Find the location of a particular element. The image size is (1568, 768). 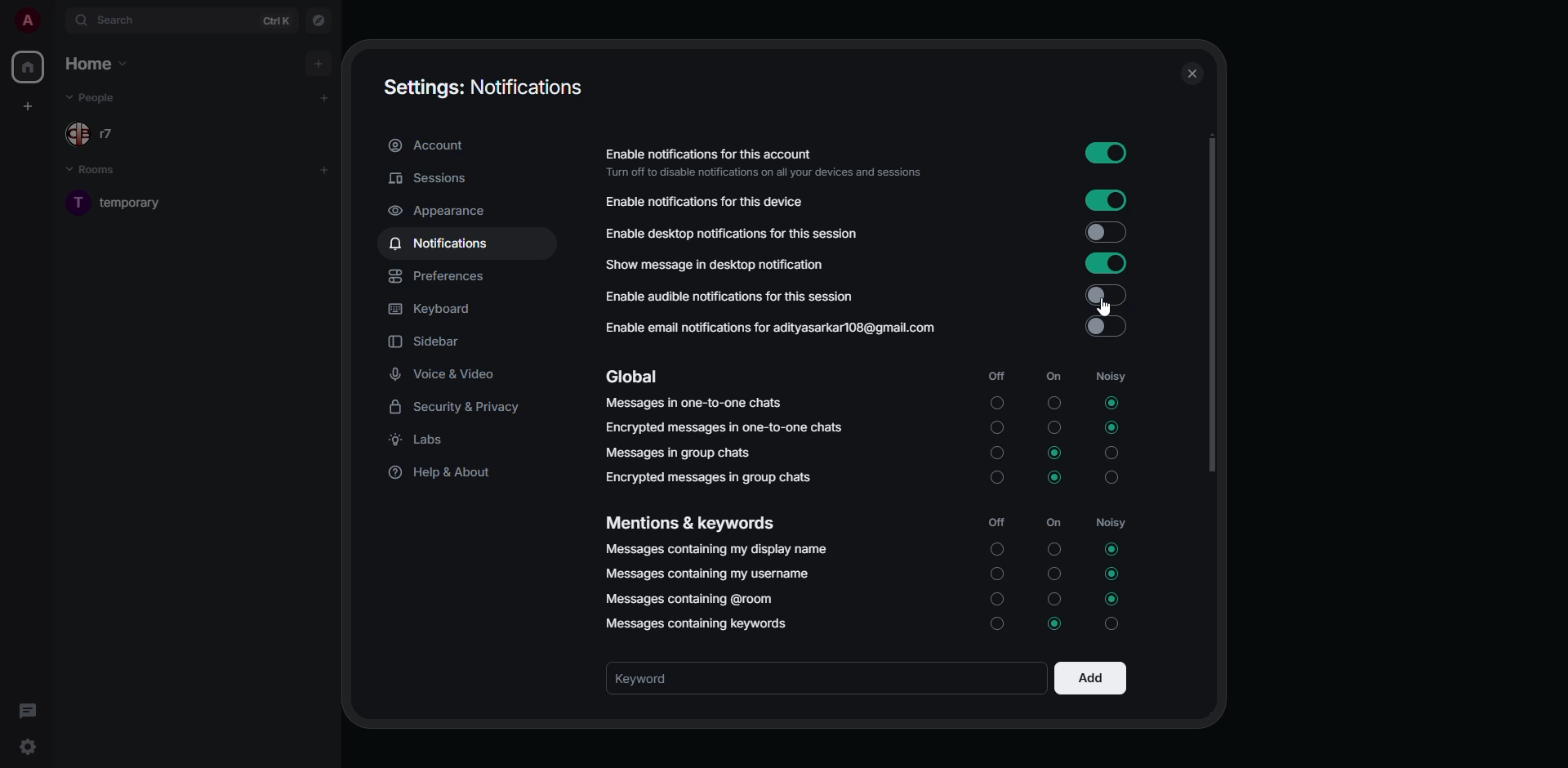

selected is located at coordinates (1055, 623).